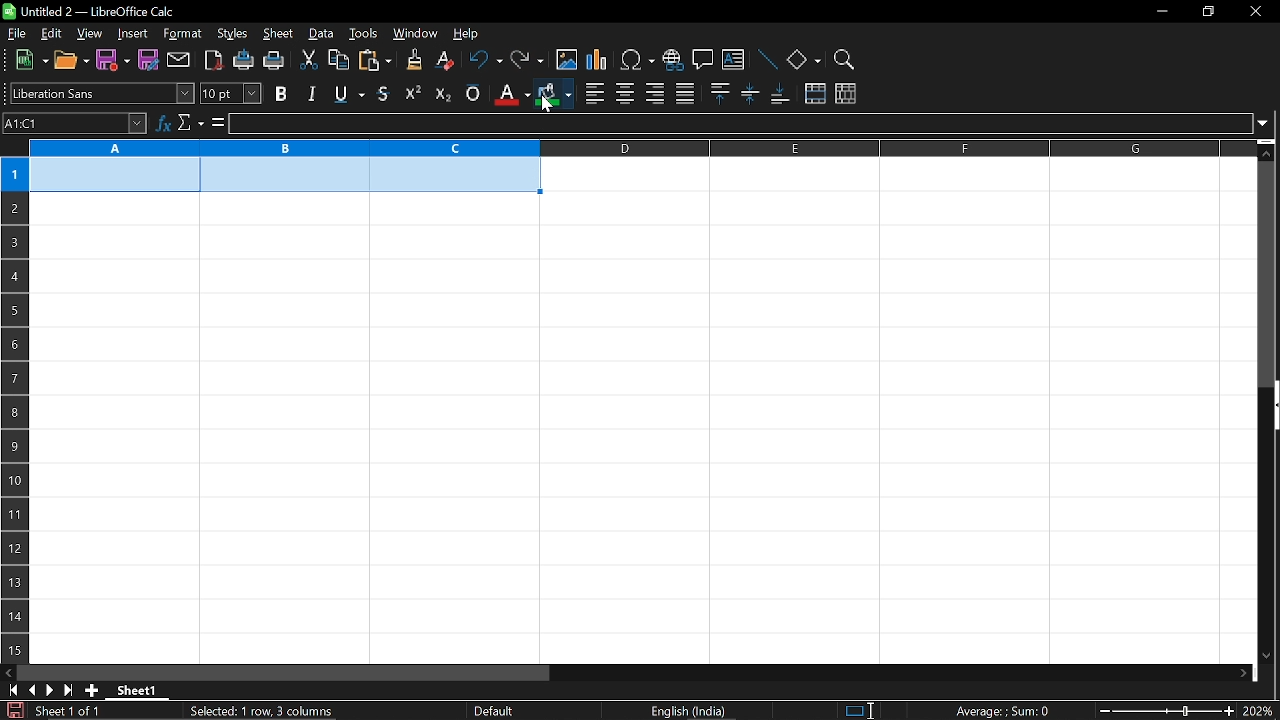  Describe the element at coordinates (528, 61) in the screenshot. I see `redo` at that location.